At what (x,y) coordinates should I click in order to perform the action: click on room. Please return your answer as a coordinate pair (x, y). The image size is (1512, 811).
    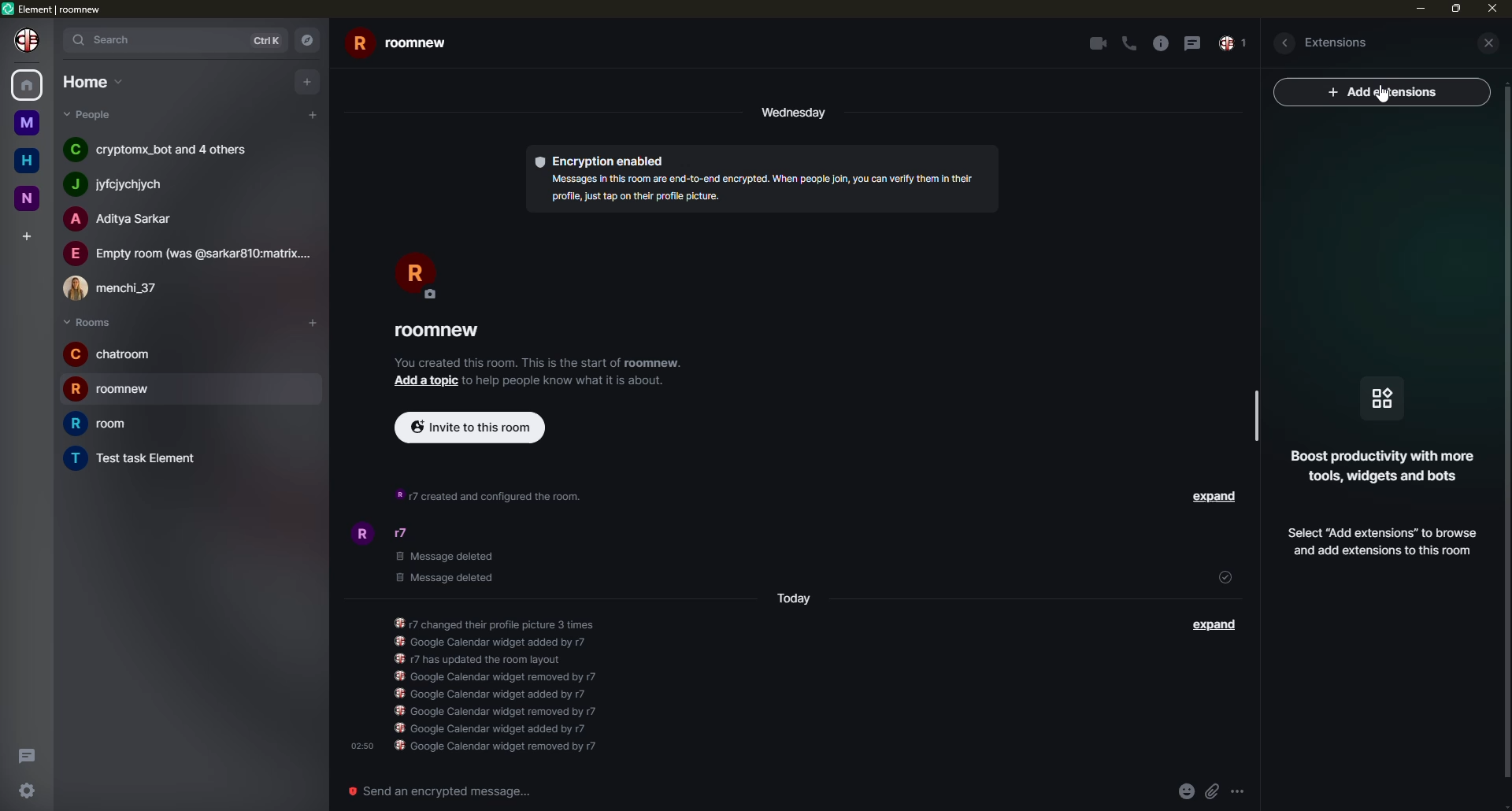
    Looking at the image, I should click on (113, 388).